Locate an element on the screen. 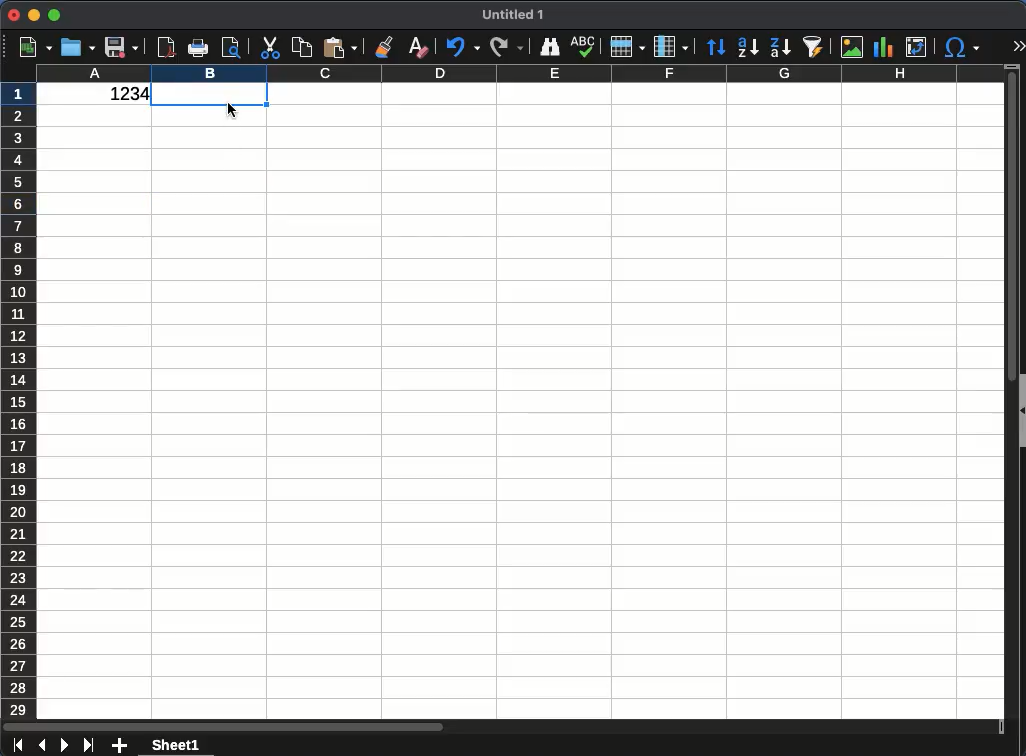 The height and width of the screenshot is (756, 1026). redo is located at coordinates (506, 45).